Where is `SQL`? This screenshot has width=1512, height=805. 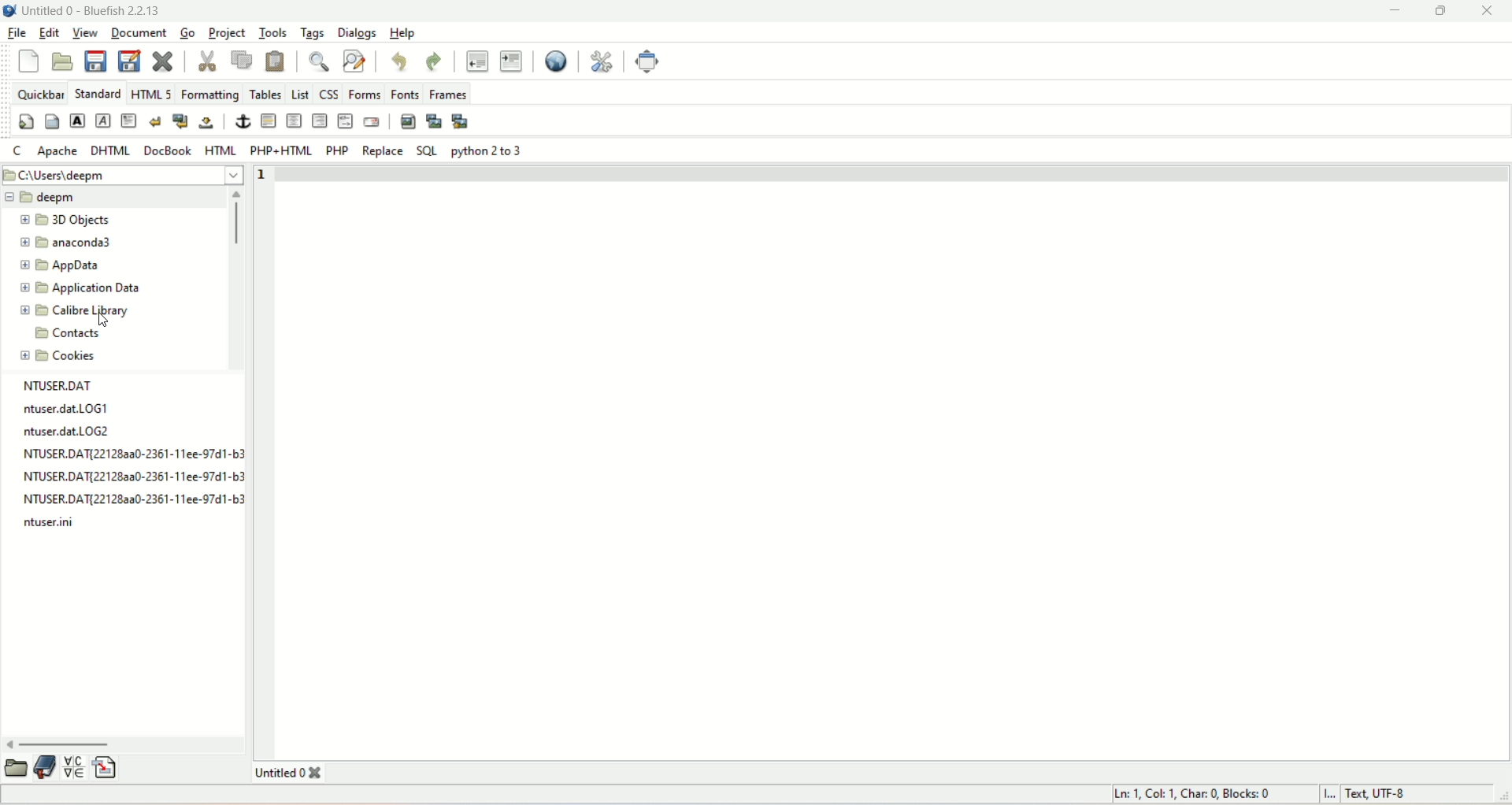
SQL is located at coordinates (424, 150).